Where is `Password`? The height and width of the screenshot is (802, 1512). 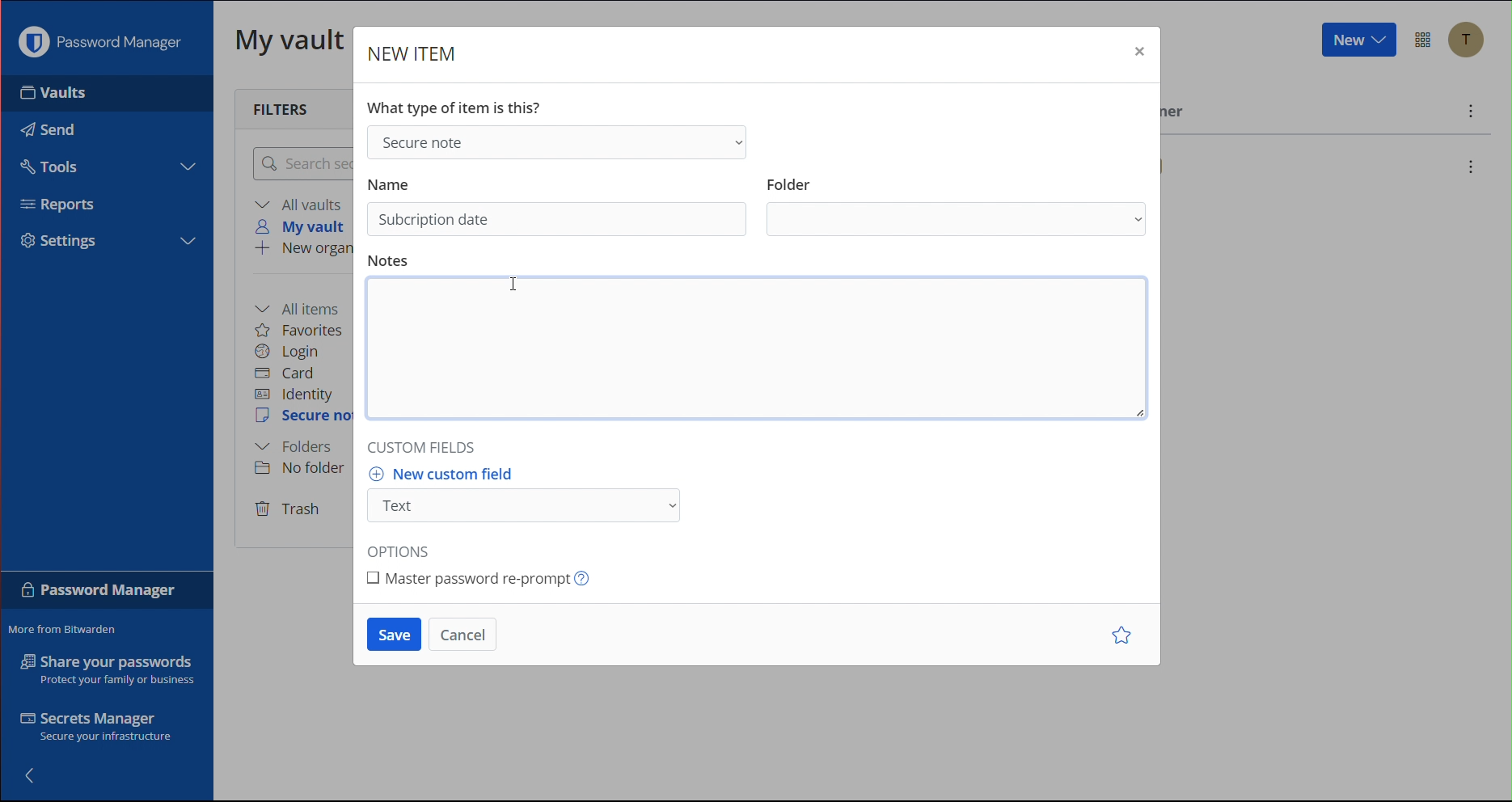 Password is located at coordinates (99, 593).